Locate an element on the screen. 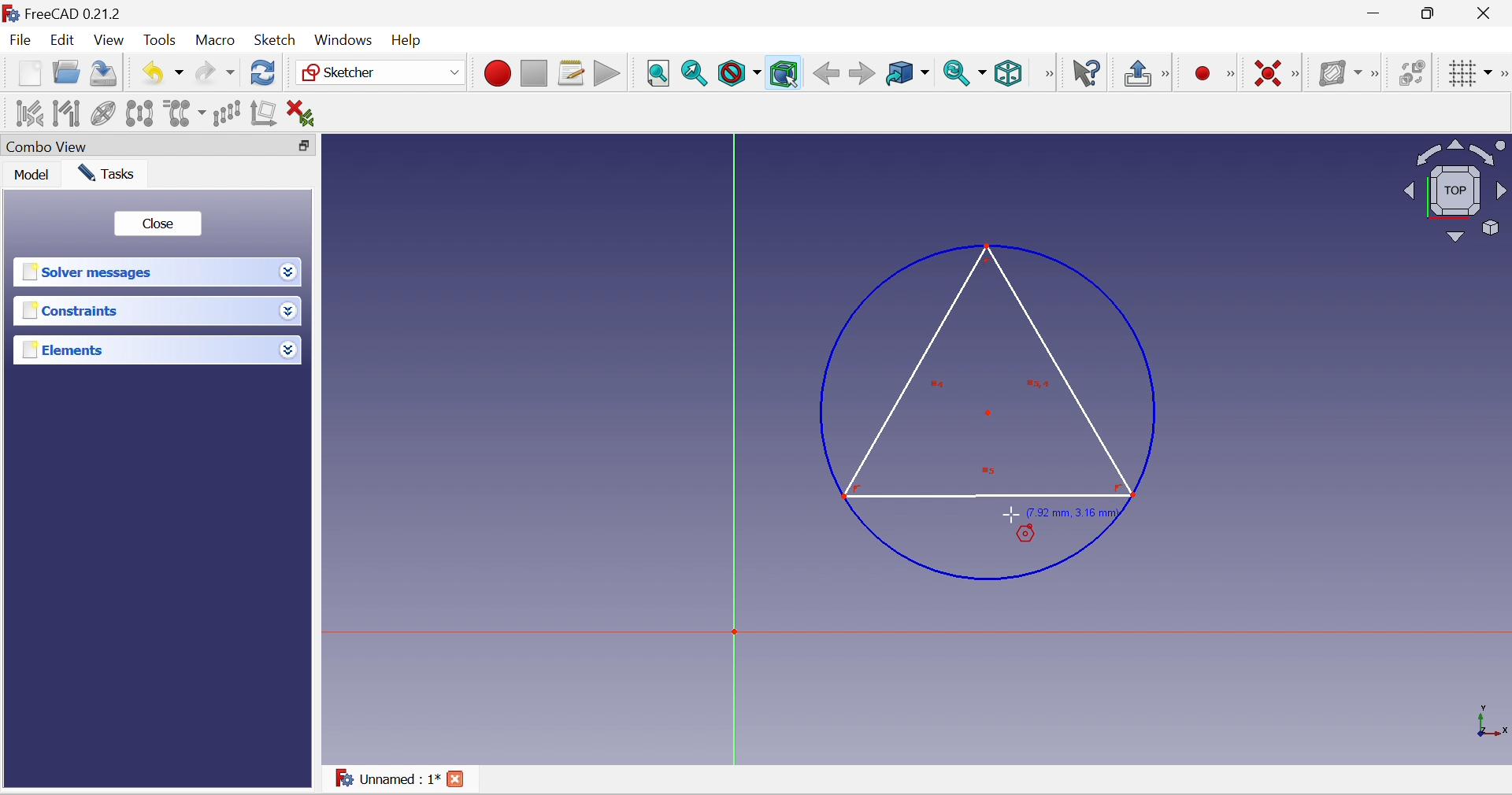 The width and height of the screenshot is (1512, 795). Windows is located at coordinates (344, 39).